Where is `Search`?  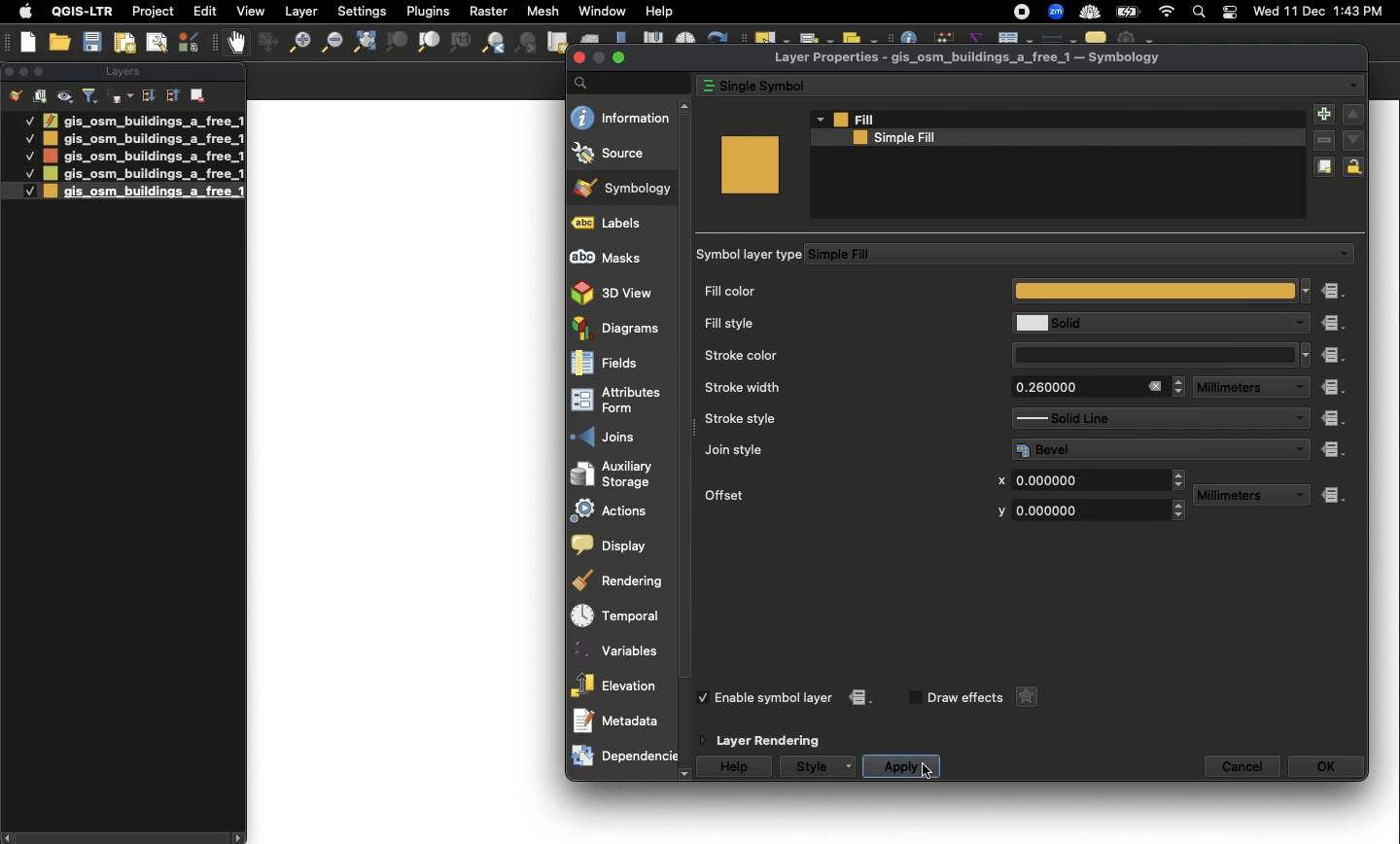 Search is located at coordinates (627, 82).